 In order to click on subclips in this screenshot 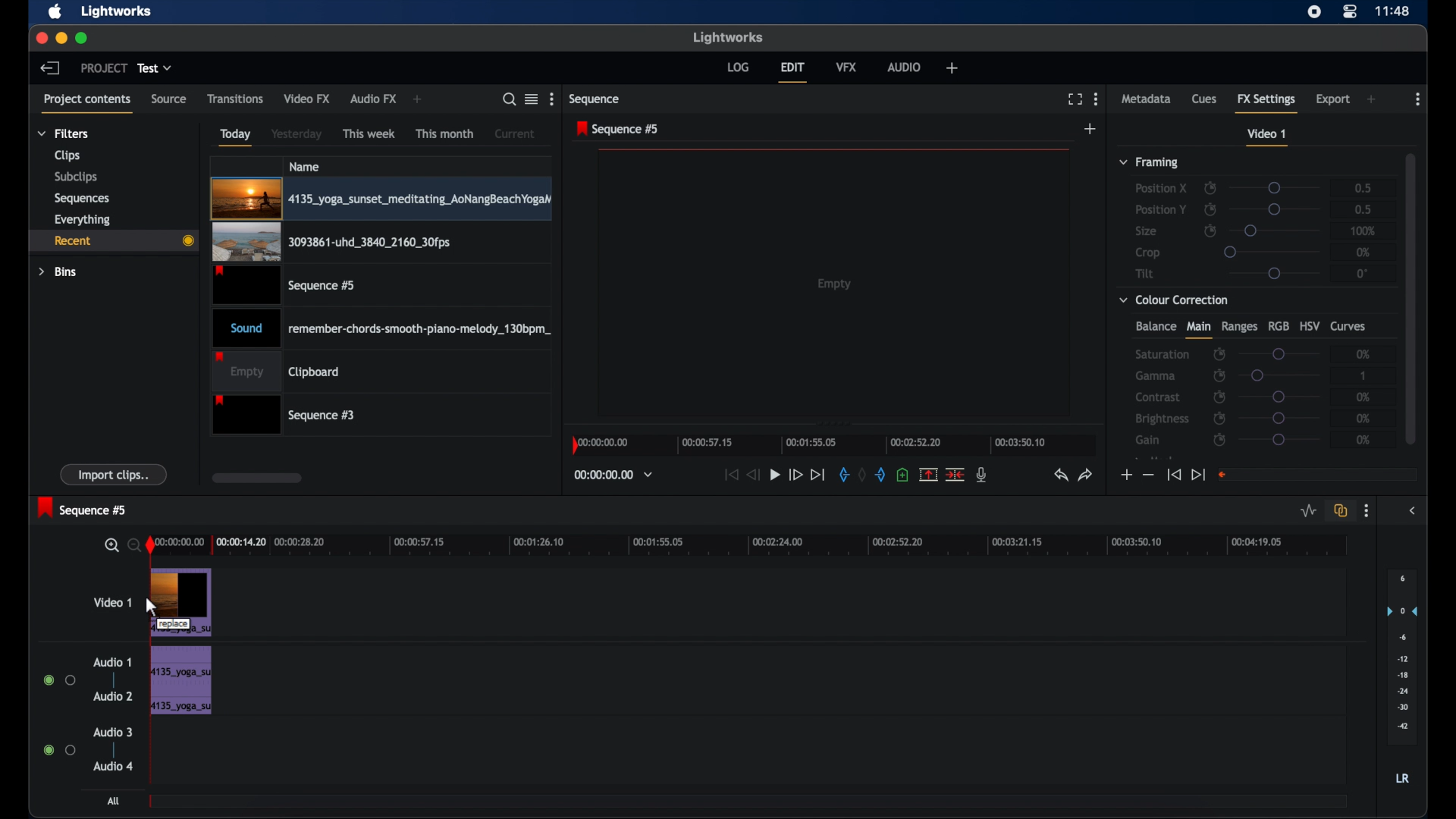, I will do `click(74, 178)`.